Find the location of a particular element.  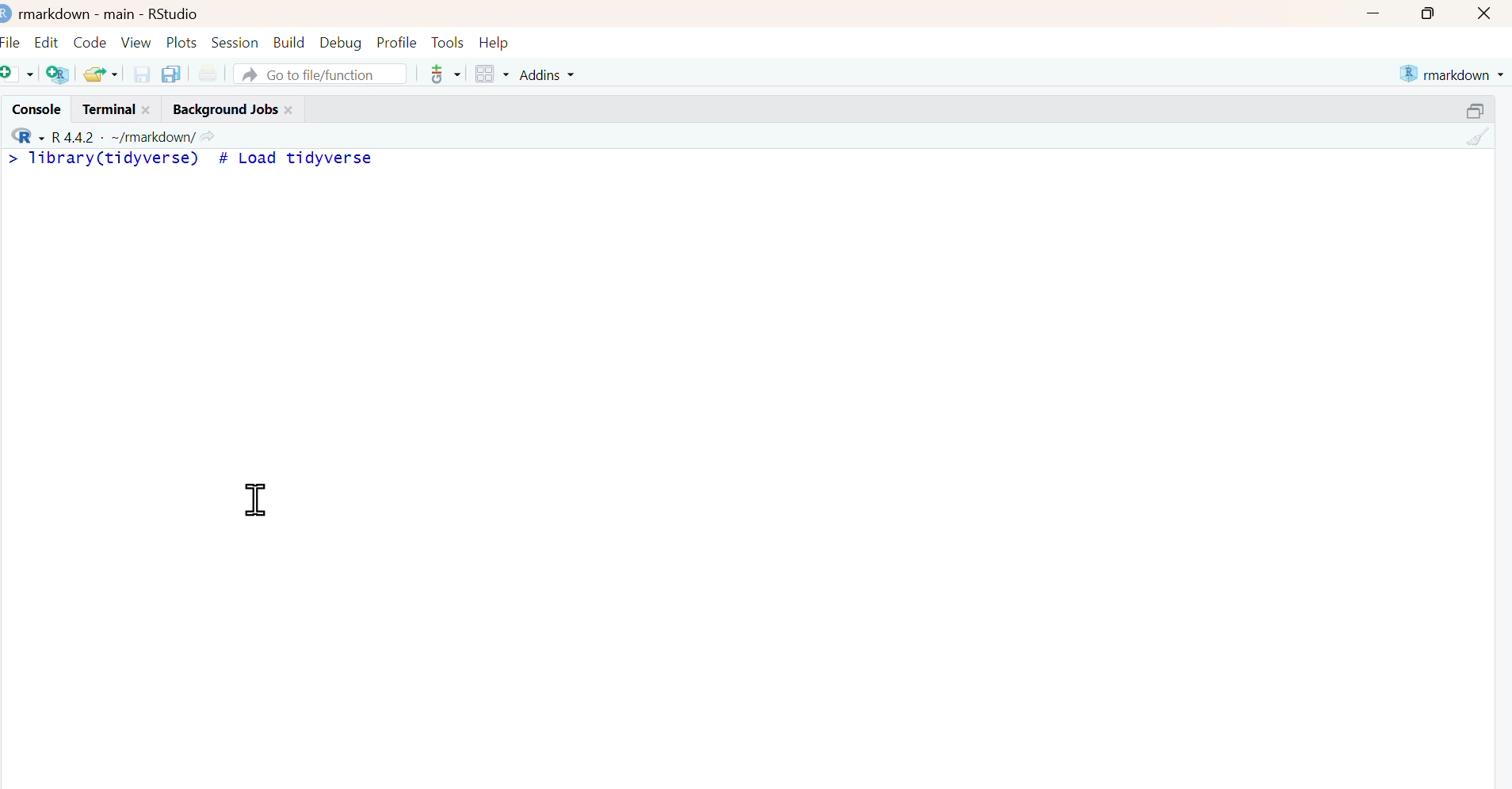

save is located at coordinates (143, 73).